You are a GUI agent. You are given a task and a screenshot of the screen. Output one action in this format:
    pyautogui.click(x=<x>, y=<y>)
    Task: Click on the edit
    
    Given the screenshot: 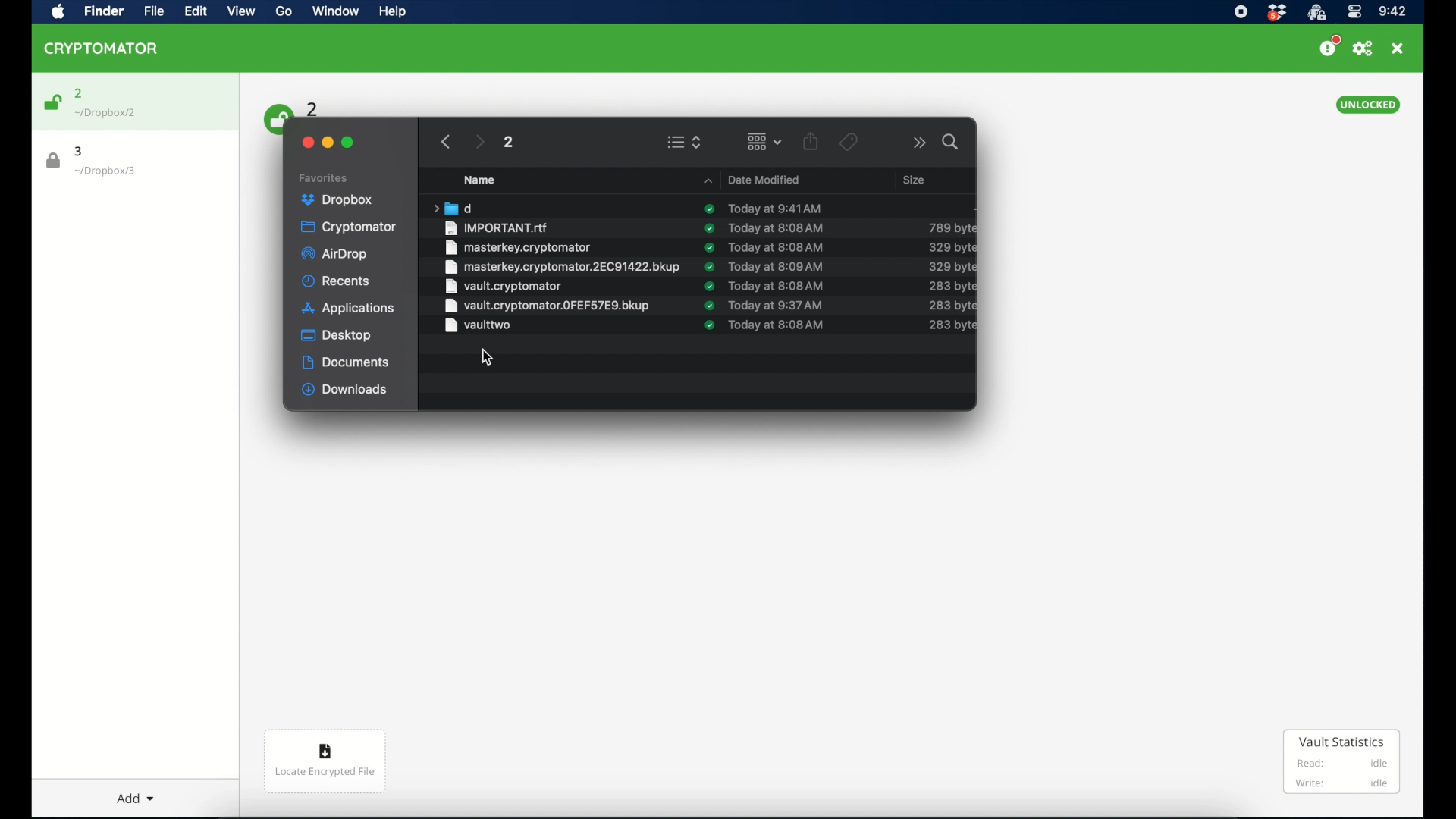 What is the action you would take?
    pyautogui.click(x=195, y=11)
    